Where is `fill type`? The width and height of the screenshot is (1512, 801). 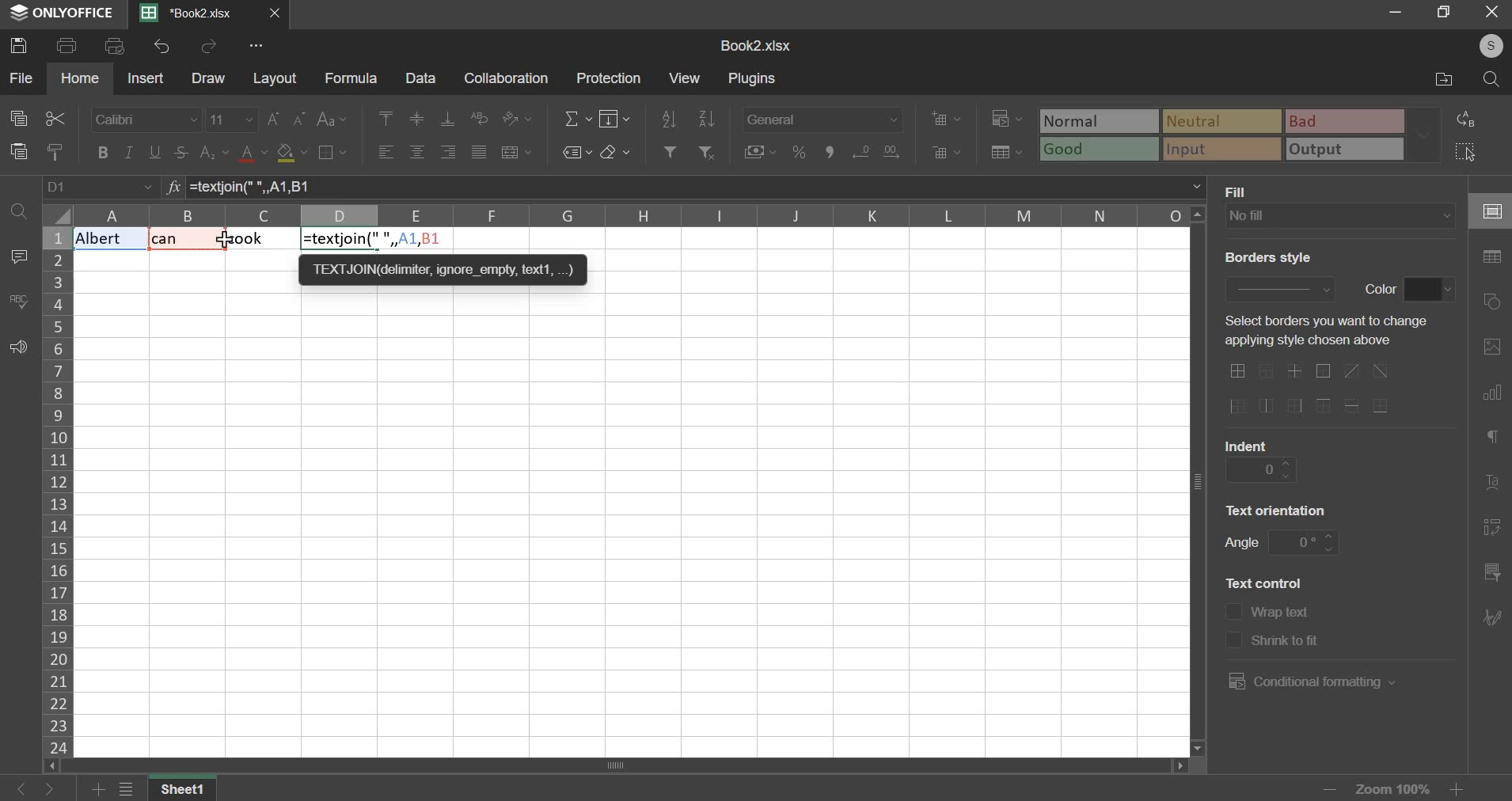
fill type is located at coordinates (1340, 216).